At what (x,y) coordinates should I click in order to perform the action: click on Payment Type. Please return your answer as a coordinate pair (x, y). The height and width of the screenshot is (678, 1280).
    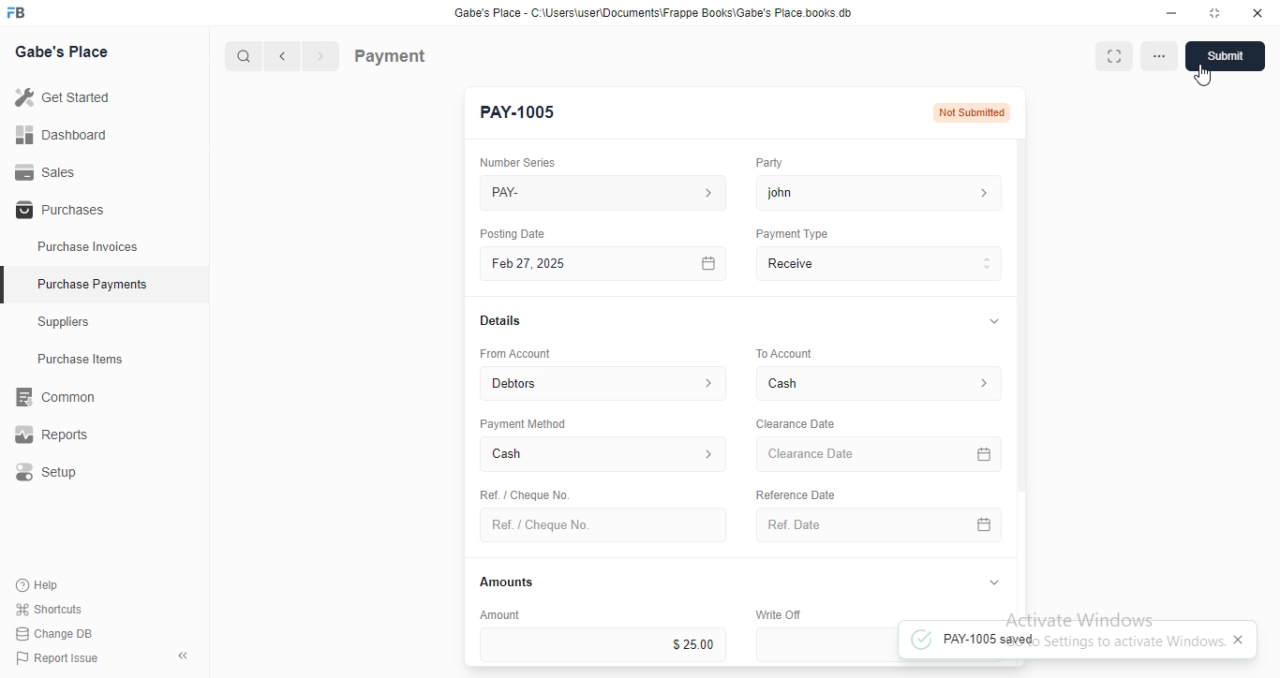
    Looking at the image, I should click on (790, 234).